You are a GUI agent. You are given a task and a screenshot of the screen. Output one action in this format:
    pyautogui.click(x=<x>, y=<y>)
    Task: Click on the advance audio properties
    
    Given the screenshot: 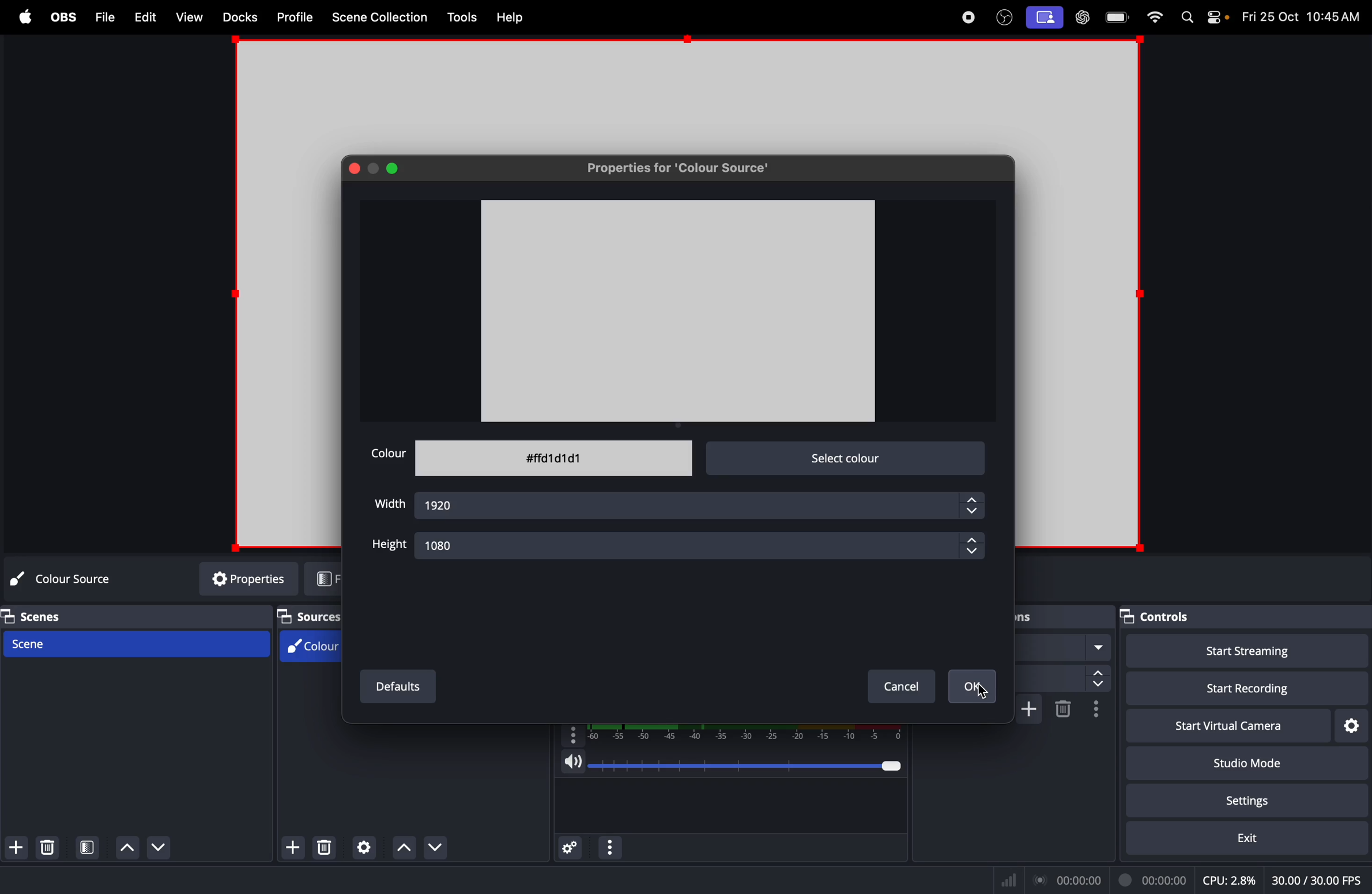 What is the action you would take?
    pyautogui.click(x=571, y=848)
    